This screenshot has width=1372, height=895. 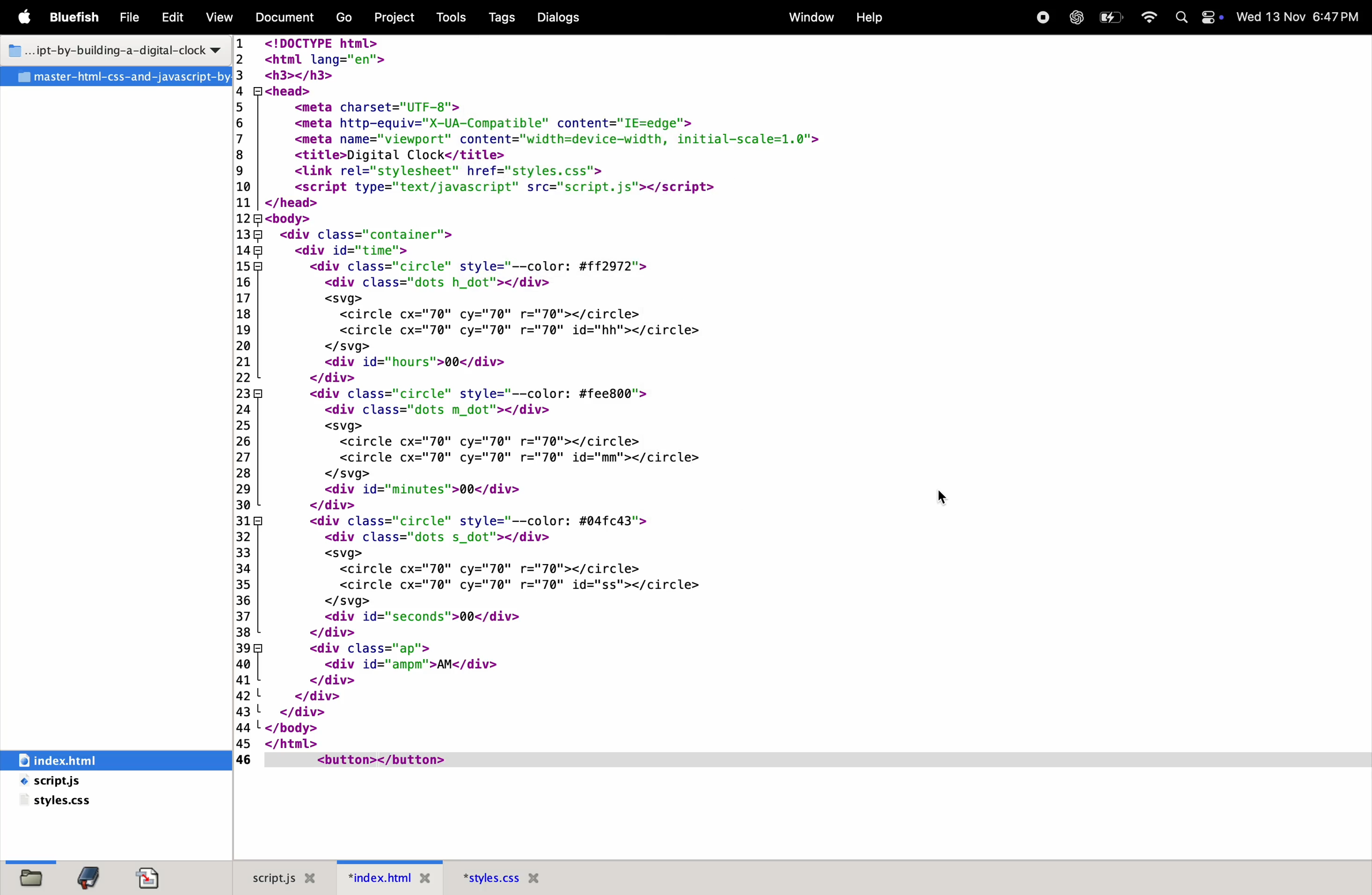 I want to click on style.css, so click(x=88, y=802).